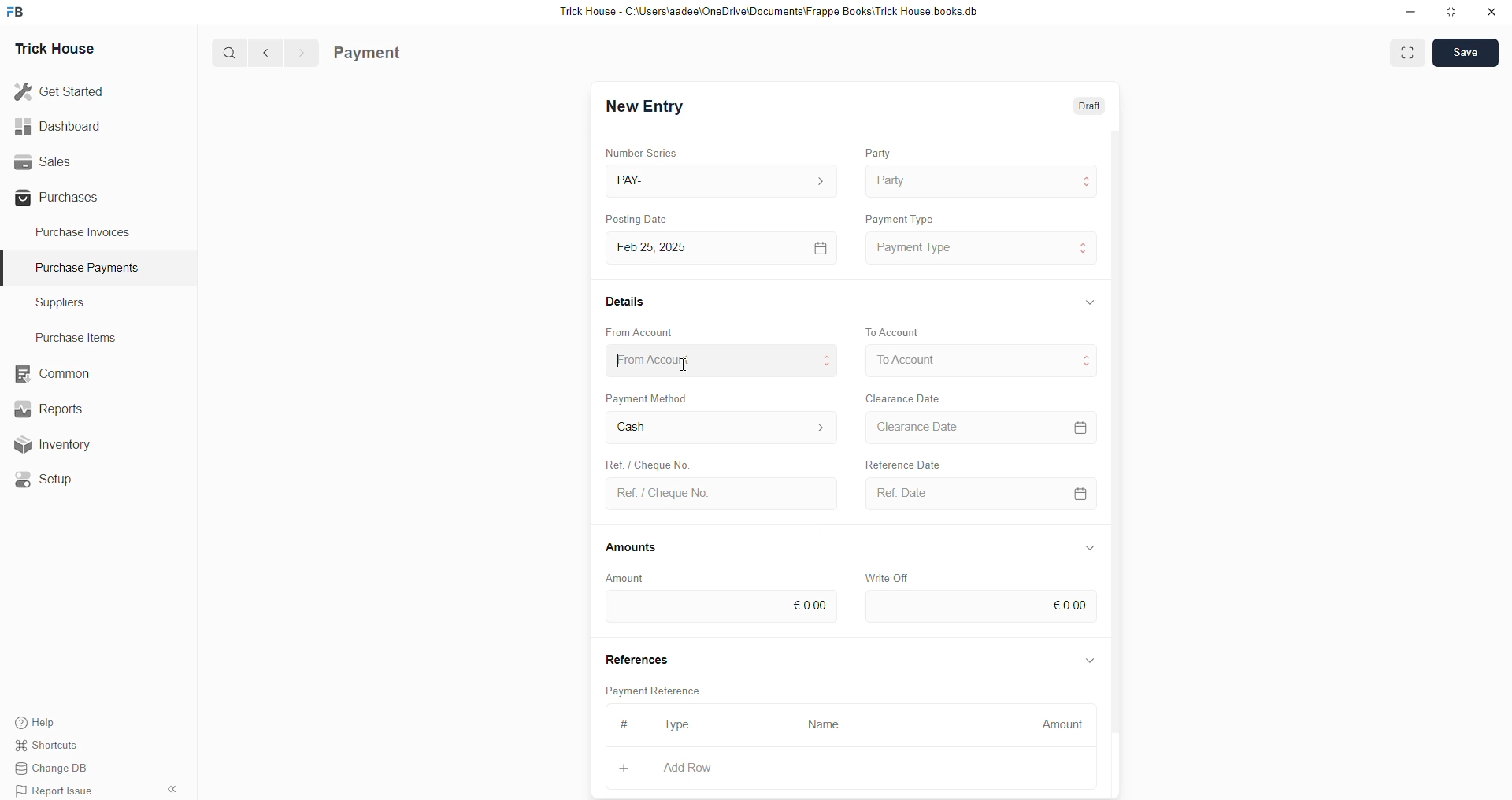  What do you see at coordinates (55, 374) in the screenshot?
I see `common` at bounding box center [55, 374].